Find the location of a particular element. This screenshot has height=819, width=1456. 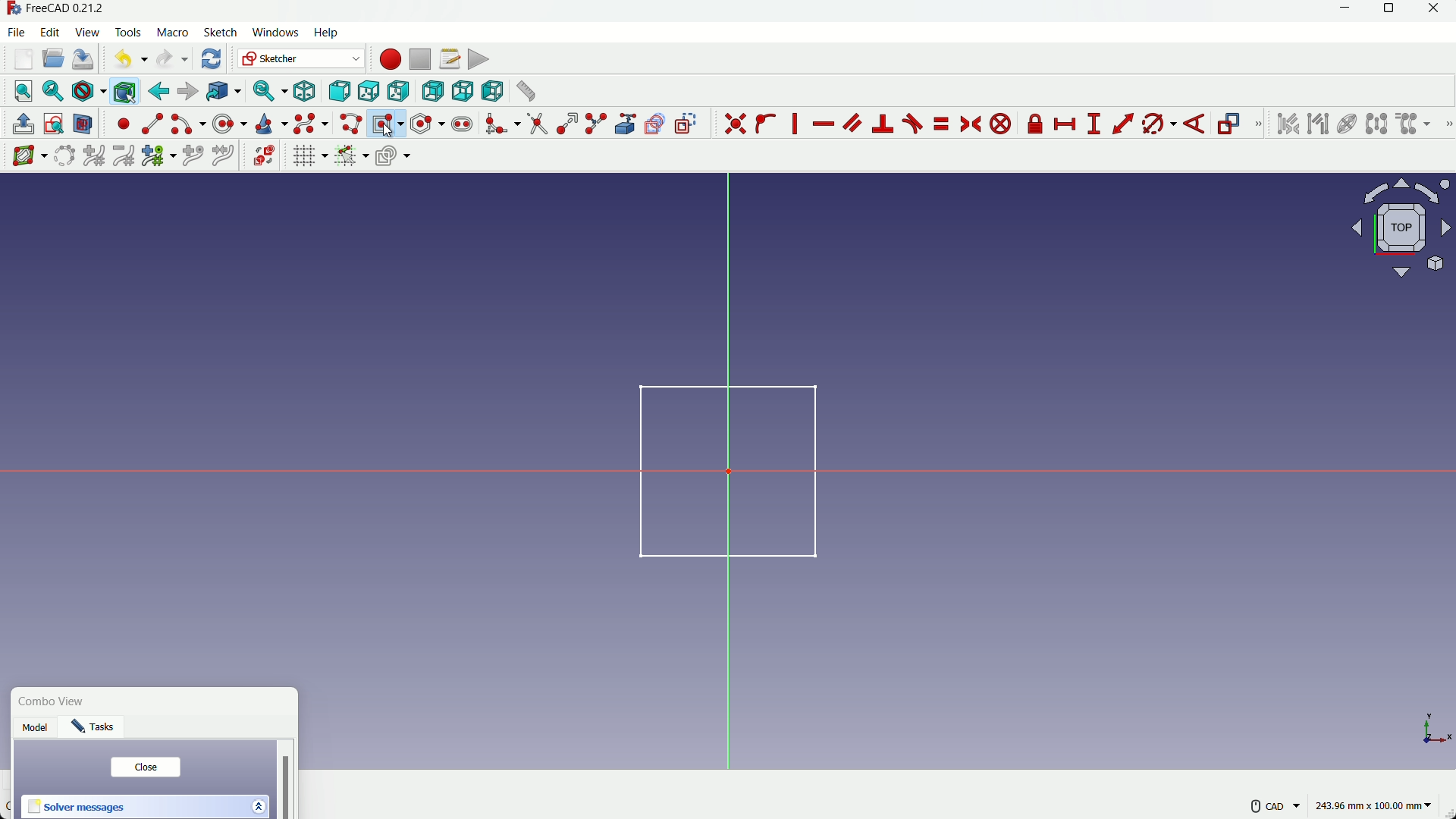

front view is located at coordinates (338, 93).